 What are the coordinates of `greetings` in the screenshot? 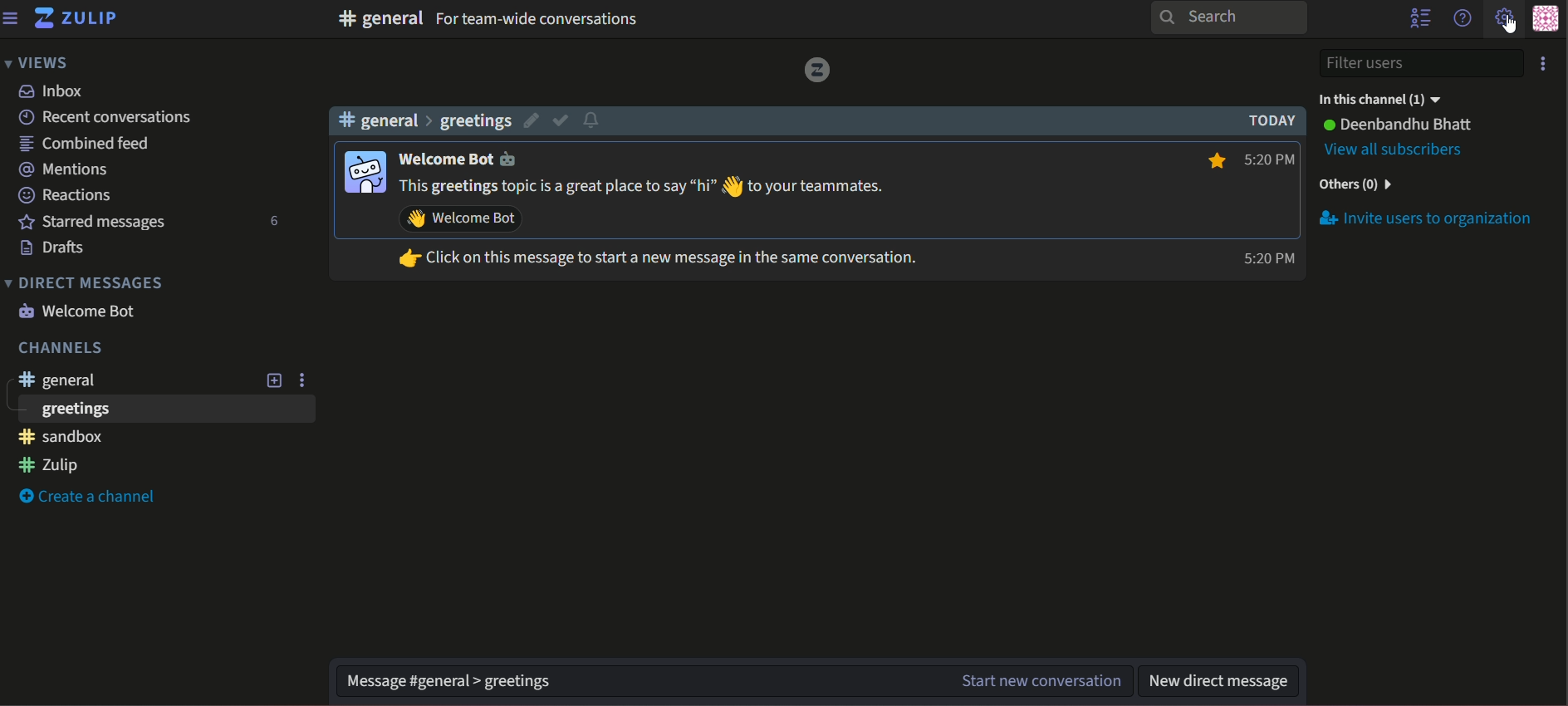 It's located at (73, 410).